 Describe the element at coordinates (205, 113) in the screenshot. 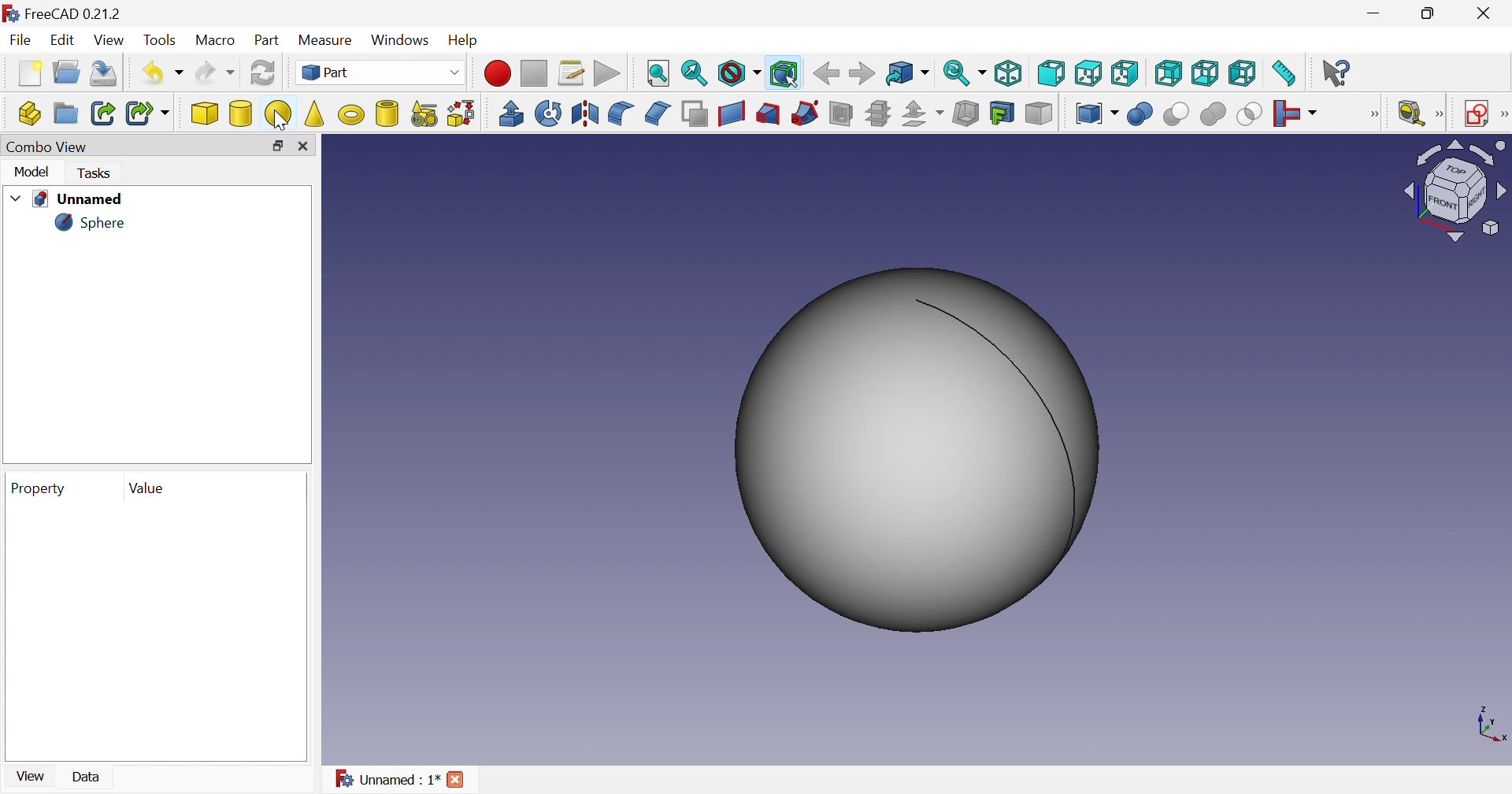

I see `Cube` at that location.